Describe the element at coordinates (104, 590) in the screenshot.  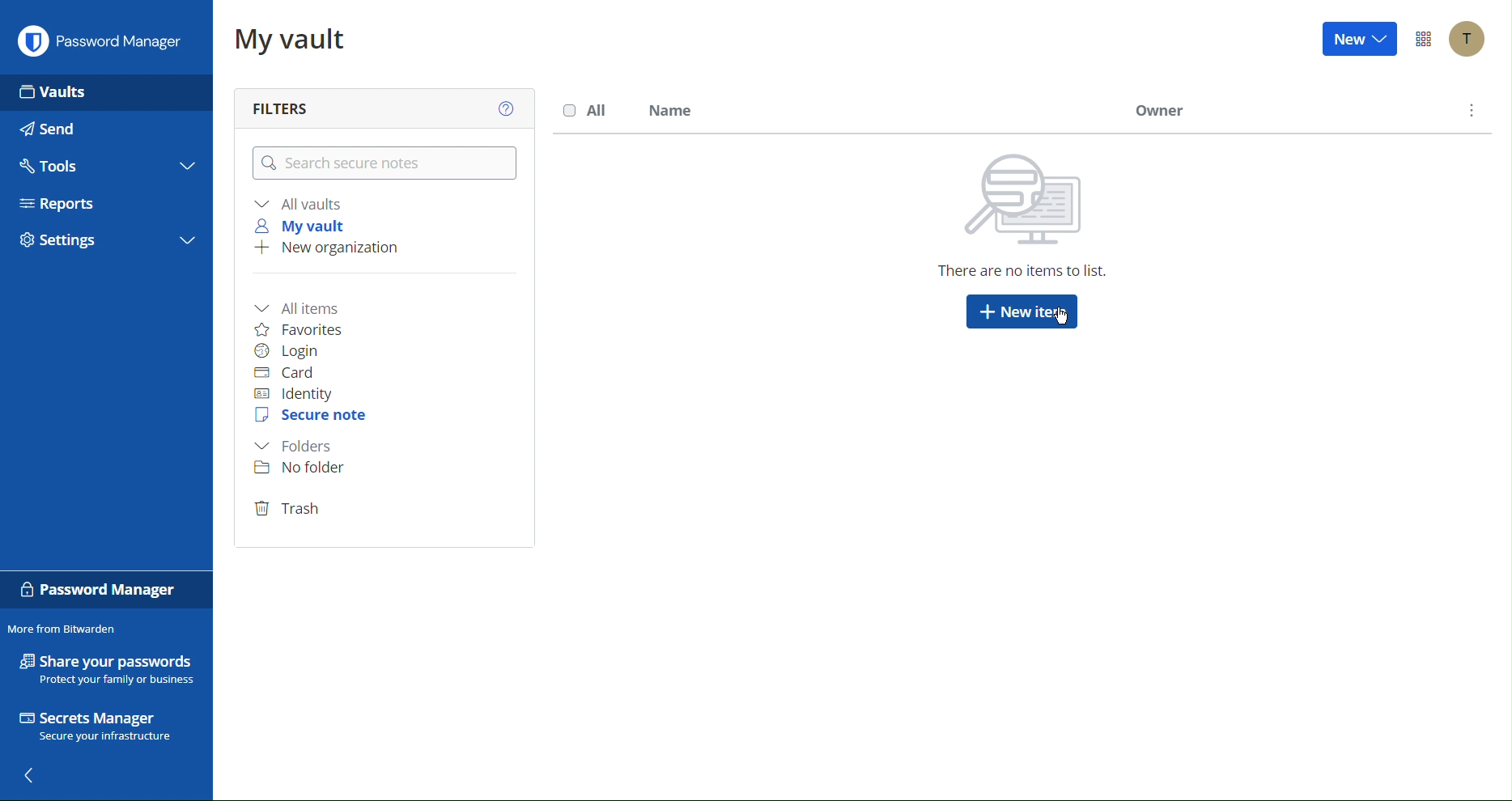
I see `Password Manager` at that location.